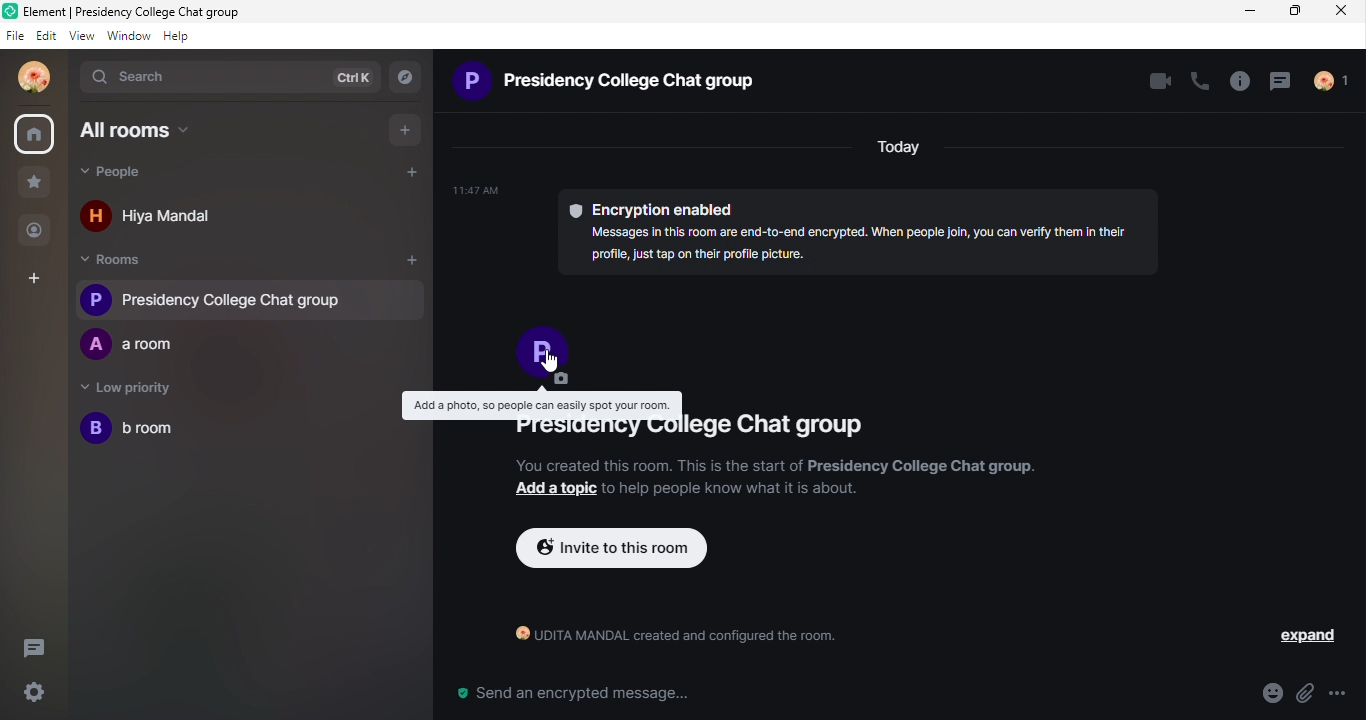 The image size is (1366, 720). Describe the element at coordinates (350, 79) in the screenshot. I see `CTRL K` at that location.